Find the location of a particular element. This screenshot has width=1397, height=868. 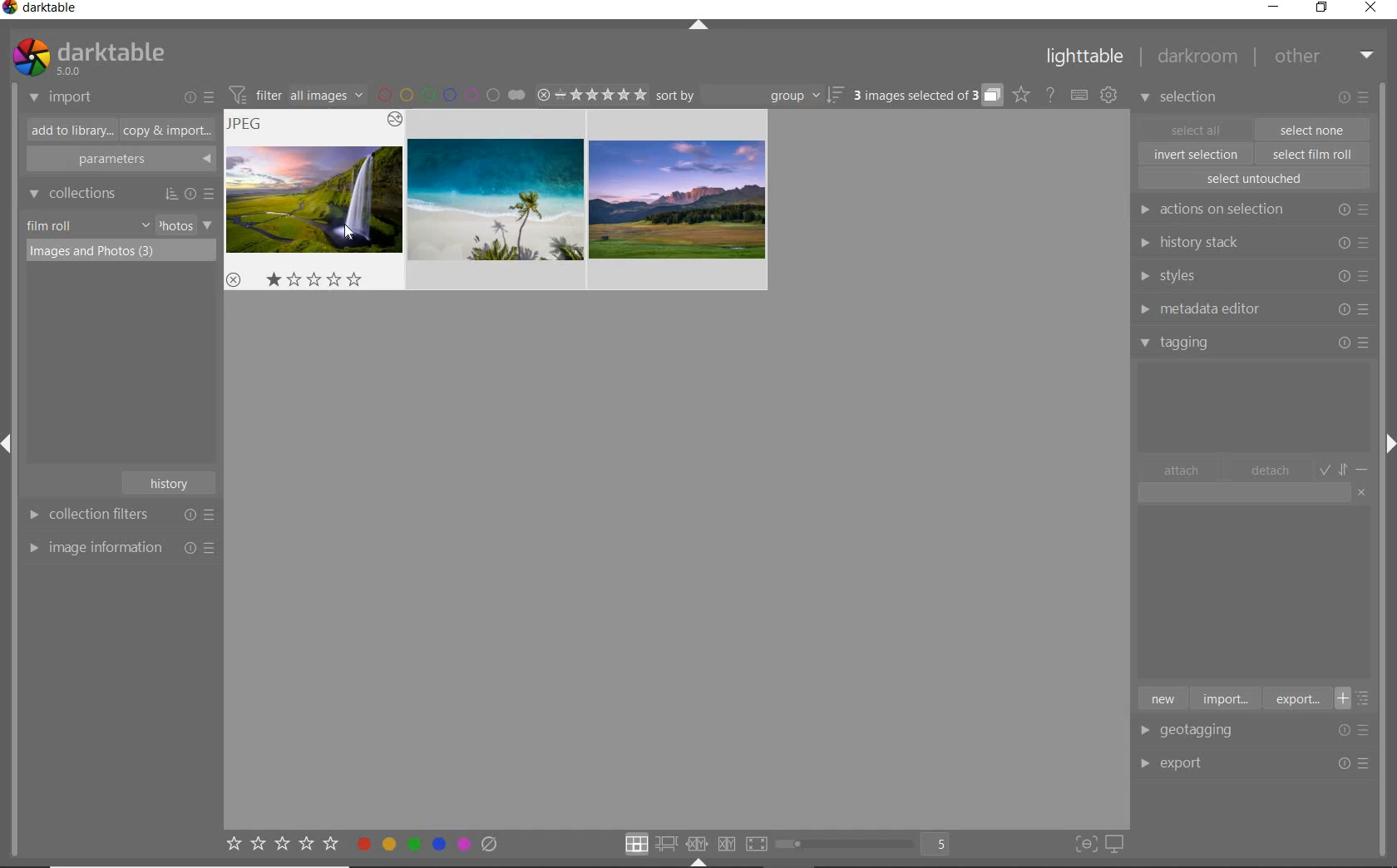

select one is located at coordinates (1312, 129).